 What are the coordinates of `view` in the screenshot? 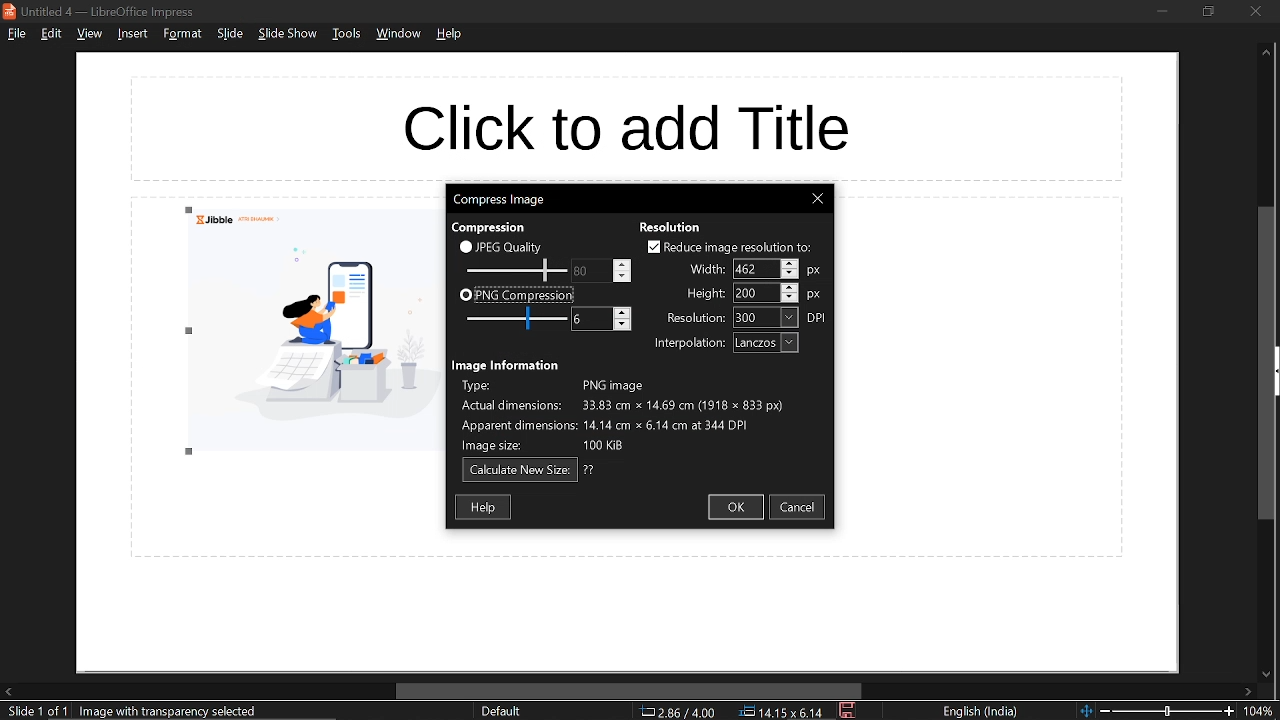 It's located at (89, 35).